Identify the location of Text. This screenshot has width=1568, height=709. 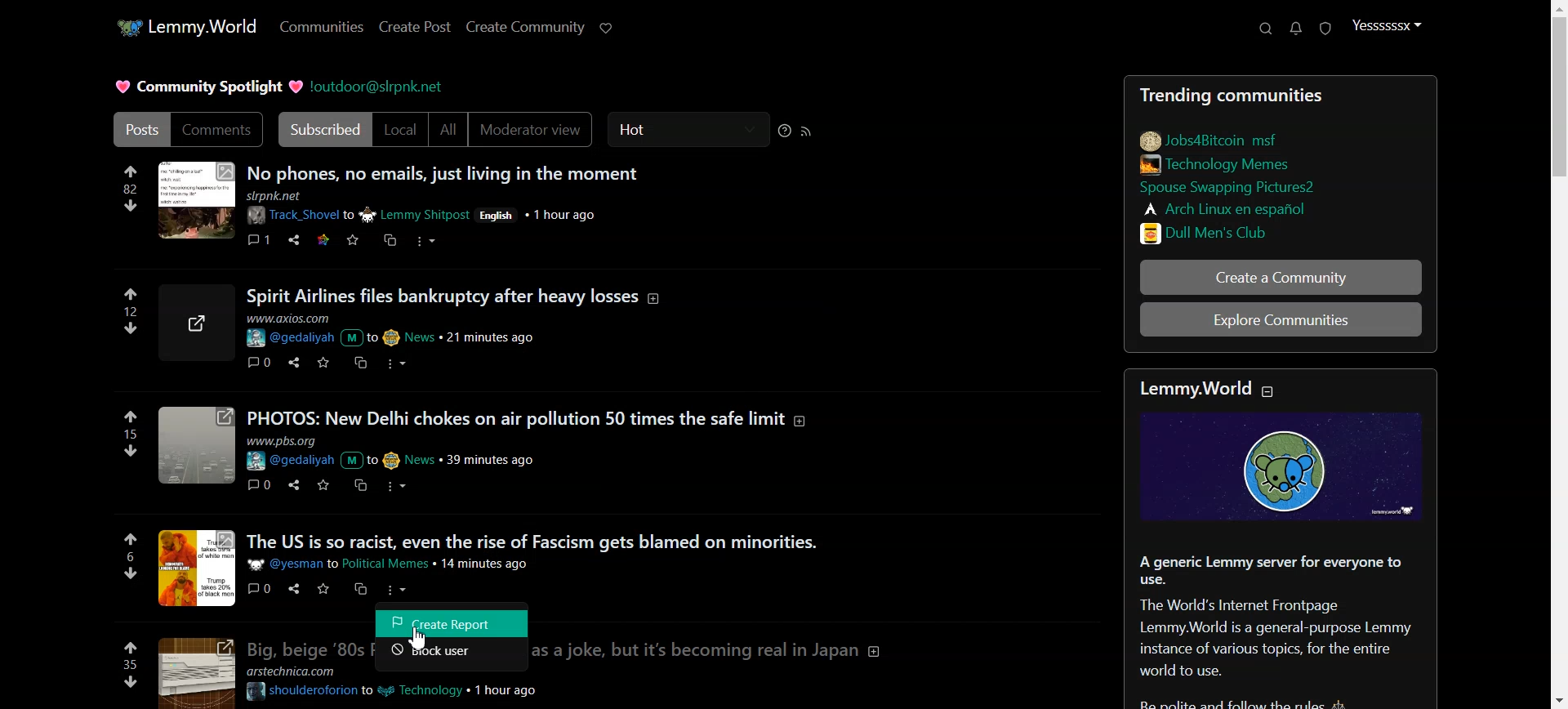
(1285, 624).